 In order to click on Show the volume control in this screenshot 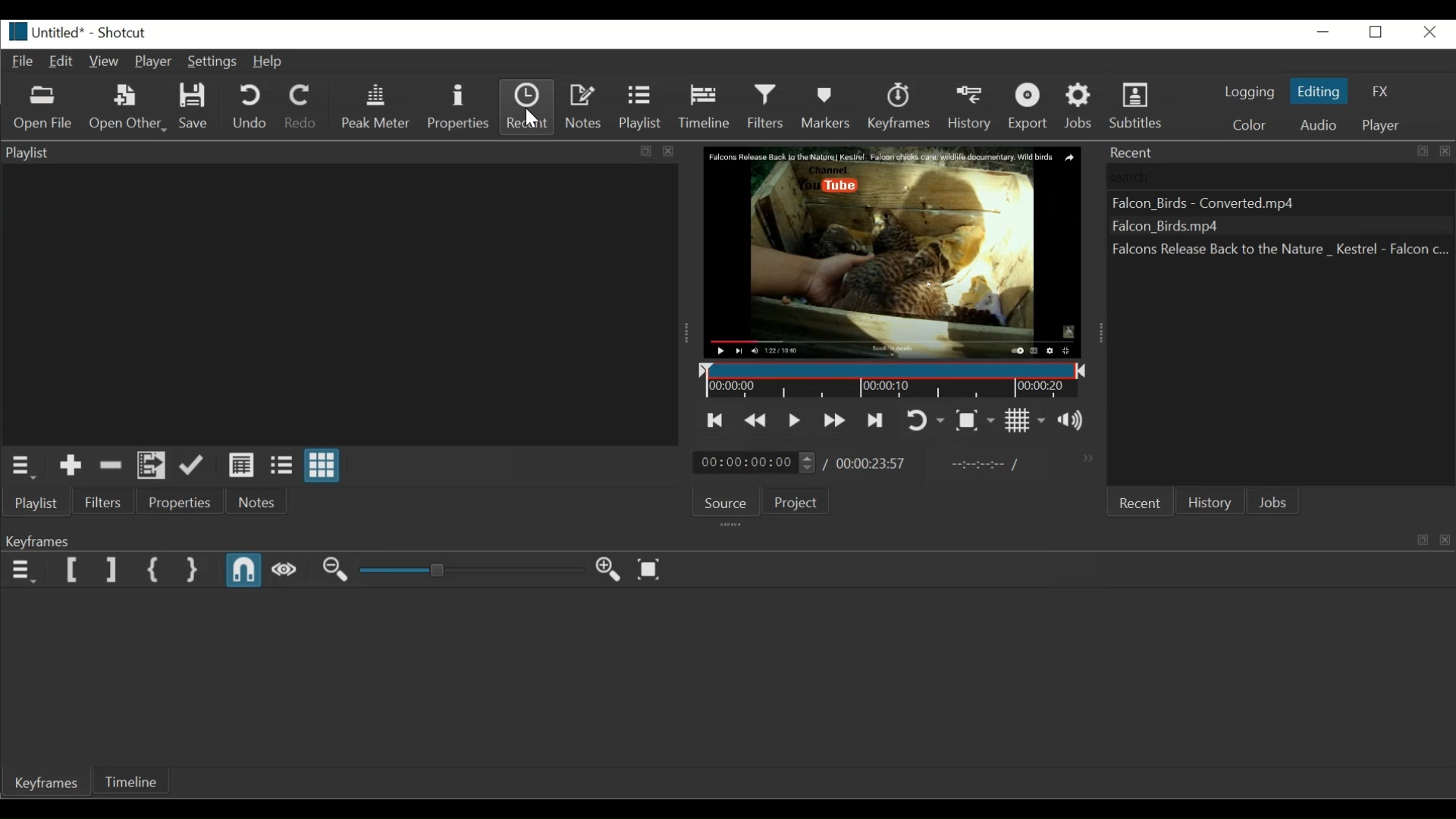, I will do `click(1073, 422)`.